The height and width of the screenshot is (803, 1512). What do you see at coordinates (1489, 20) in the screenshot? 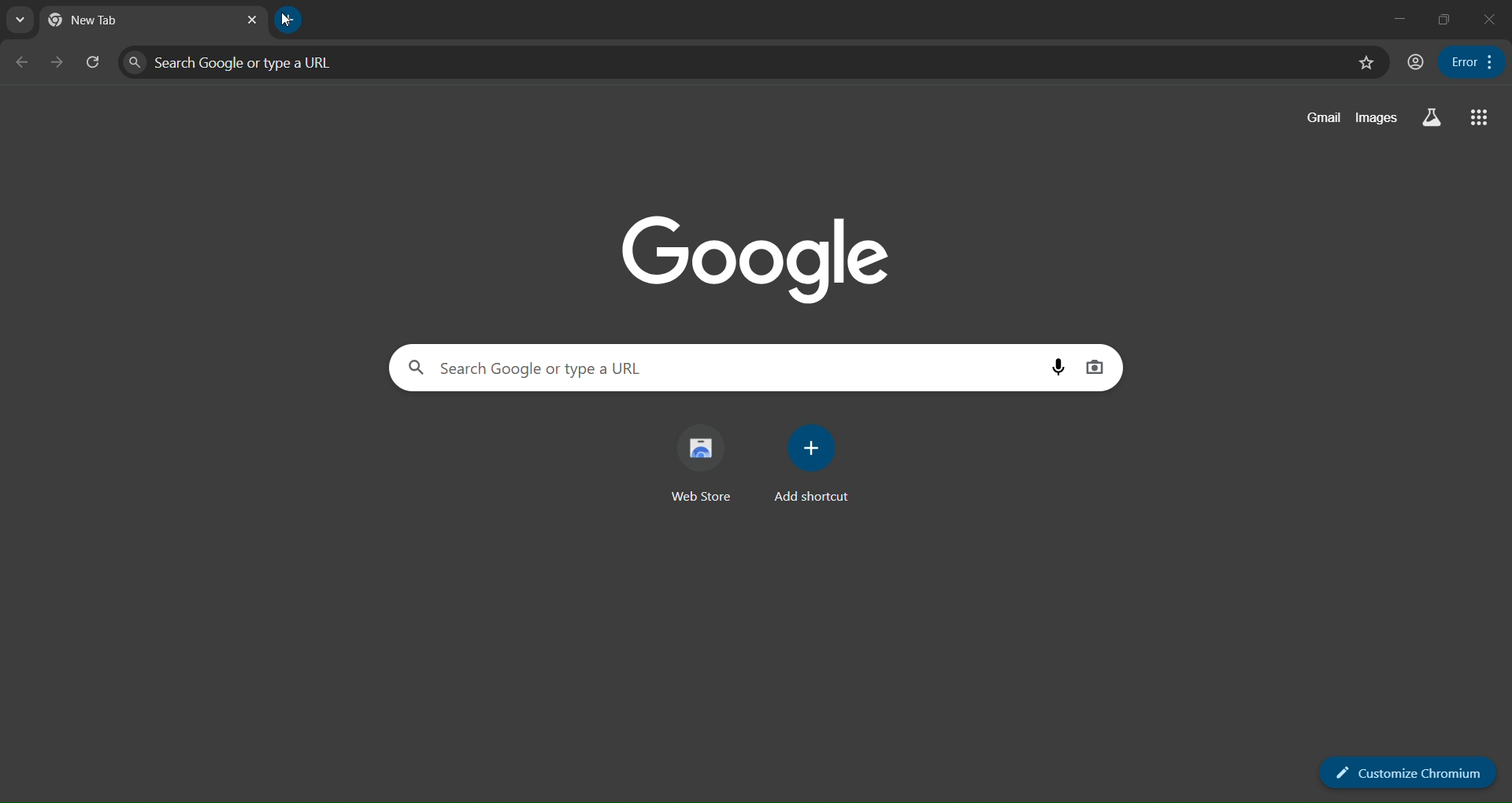
I see `close` at bounding box center [1489, 20].